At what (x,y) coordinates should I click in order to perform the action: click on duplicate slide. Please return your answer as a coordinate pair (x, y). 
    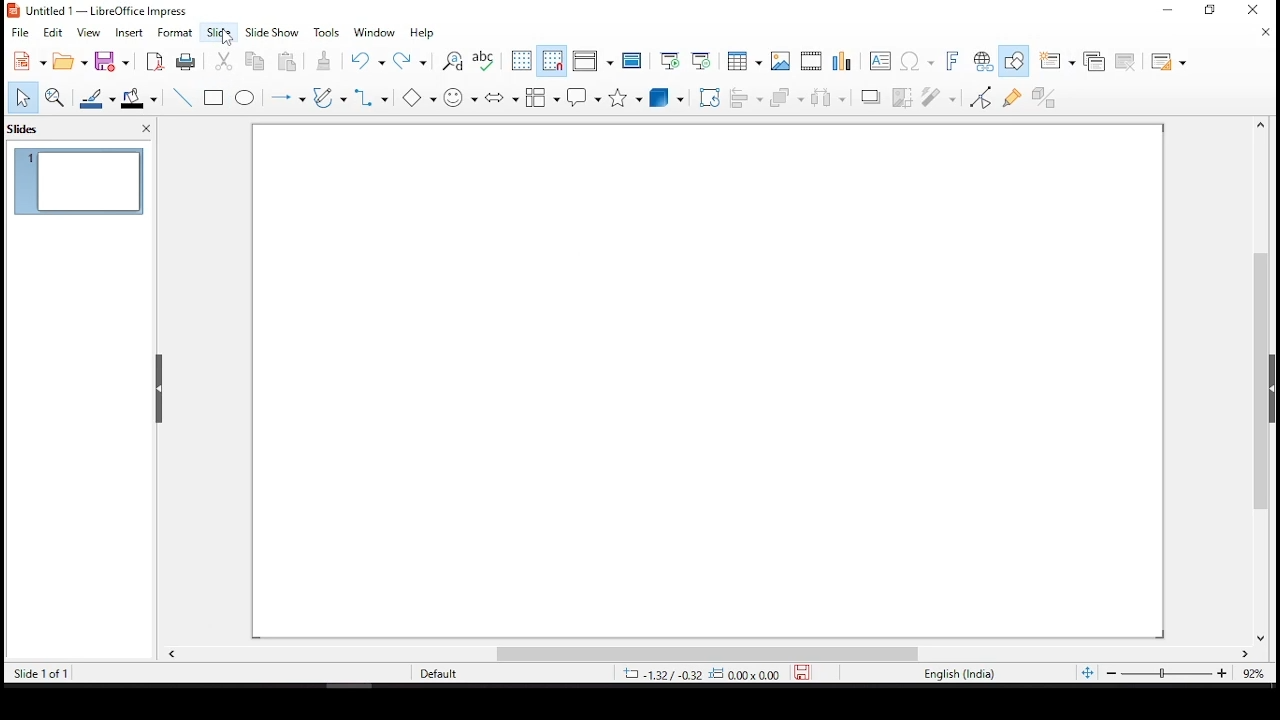
    Looking at the image, I should click on (1094, 61).